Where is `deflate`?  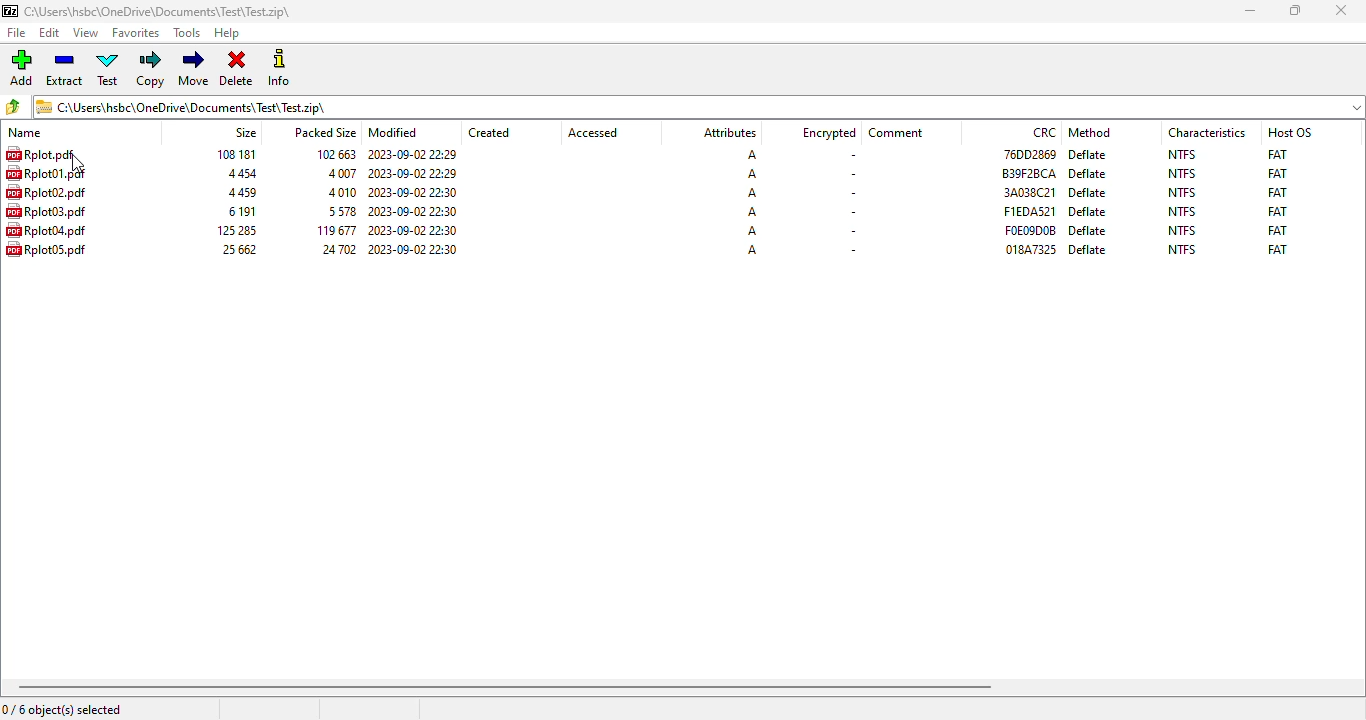
deflate is located at coordinates (1087, 212).